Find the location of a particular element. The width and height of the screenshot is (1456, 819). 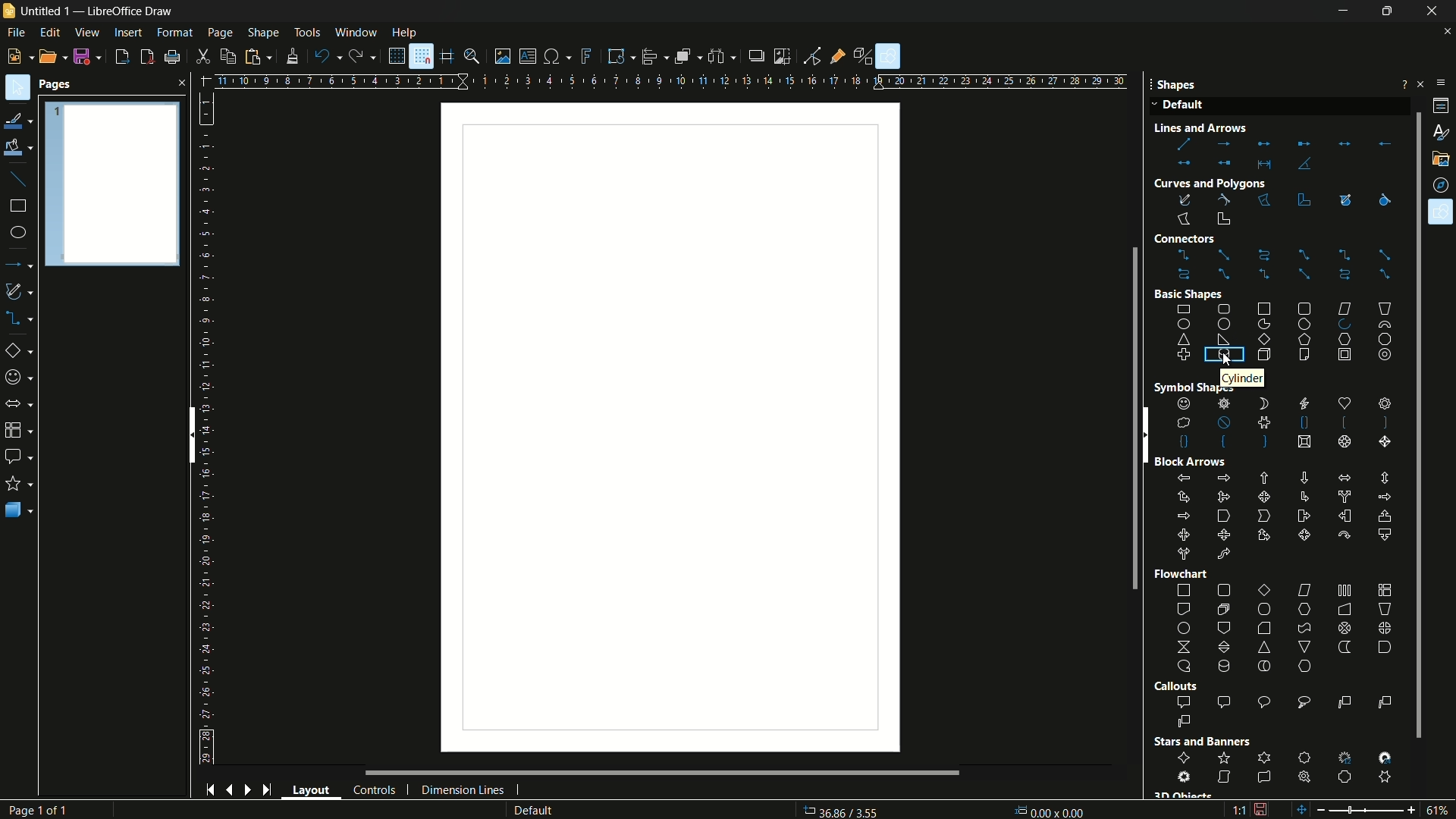

next page is located at coordinates (248, 790).